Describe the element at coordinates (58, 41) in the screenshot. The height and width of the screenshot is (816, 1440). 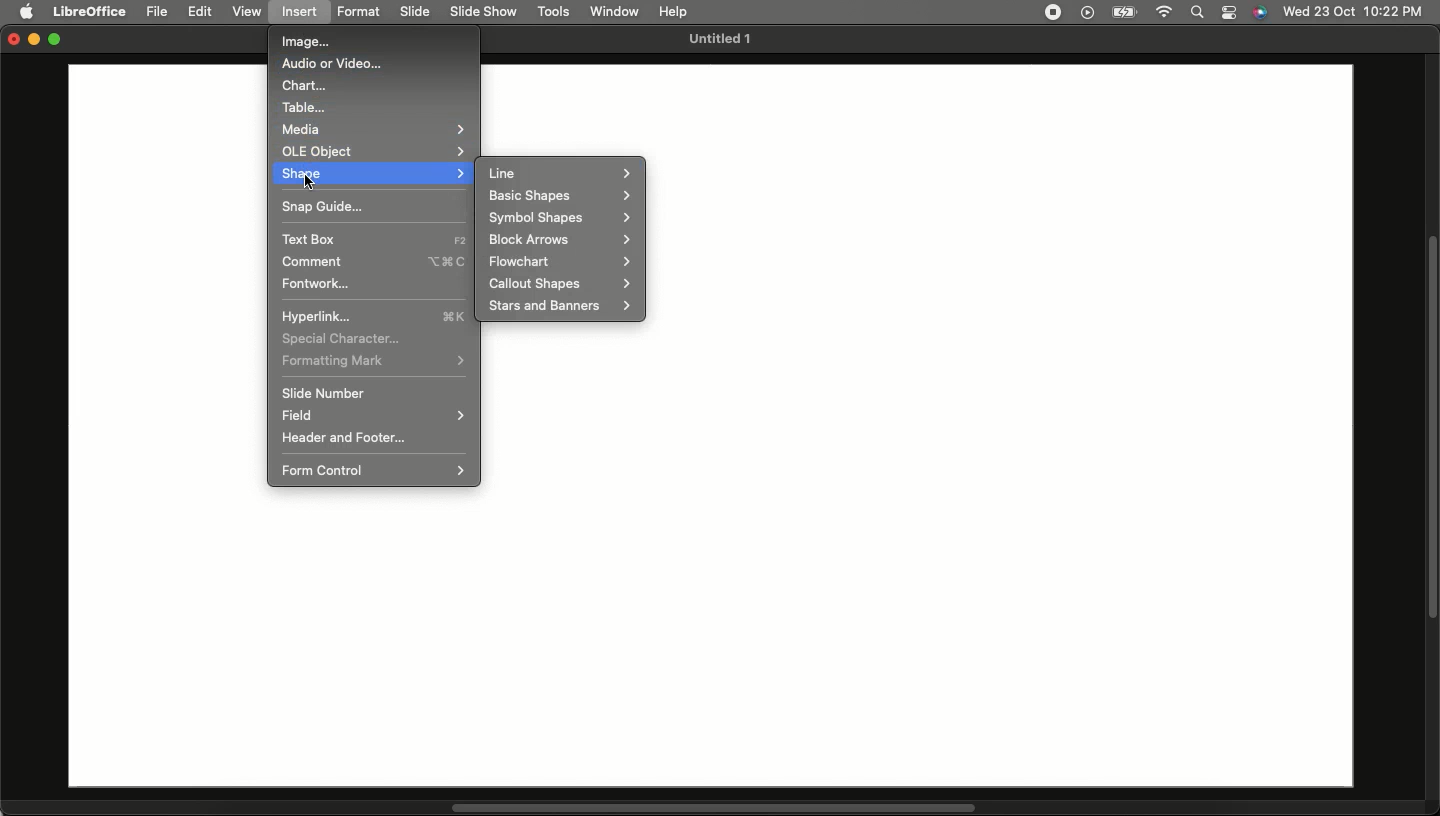
I see `Maximize` at that location.